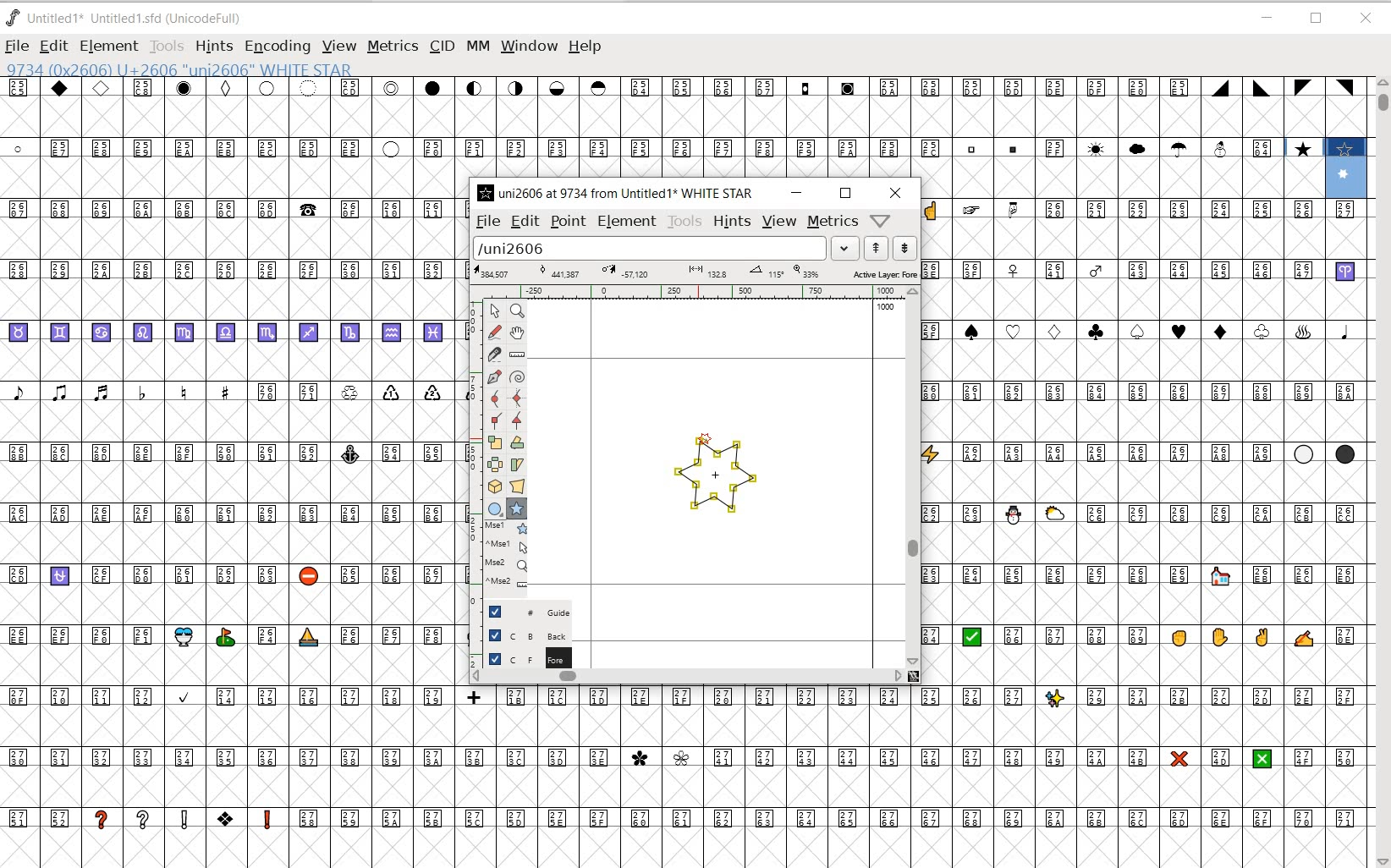  What do you see at coordinates (626, 223) in the screenshot?
I see `ELEMENT` at bounding box center [626, 223].